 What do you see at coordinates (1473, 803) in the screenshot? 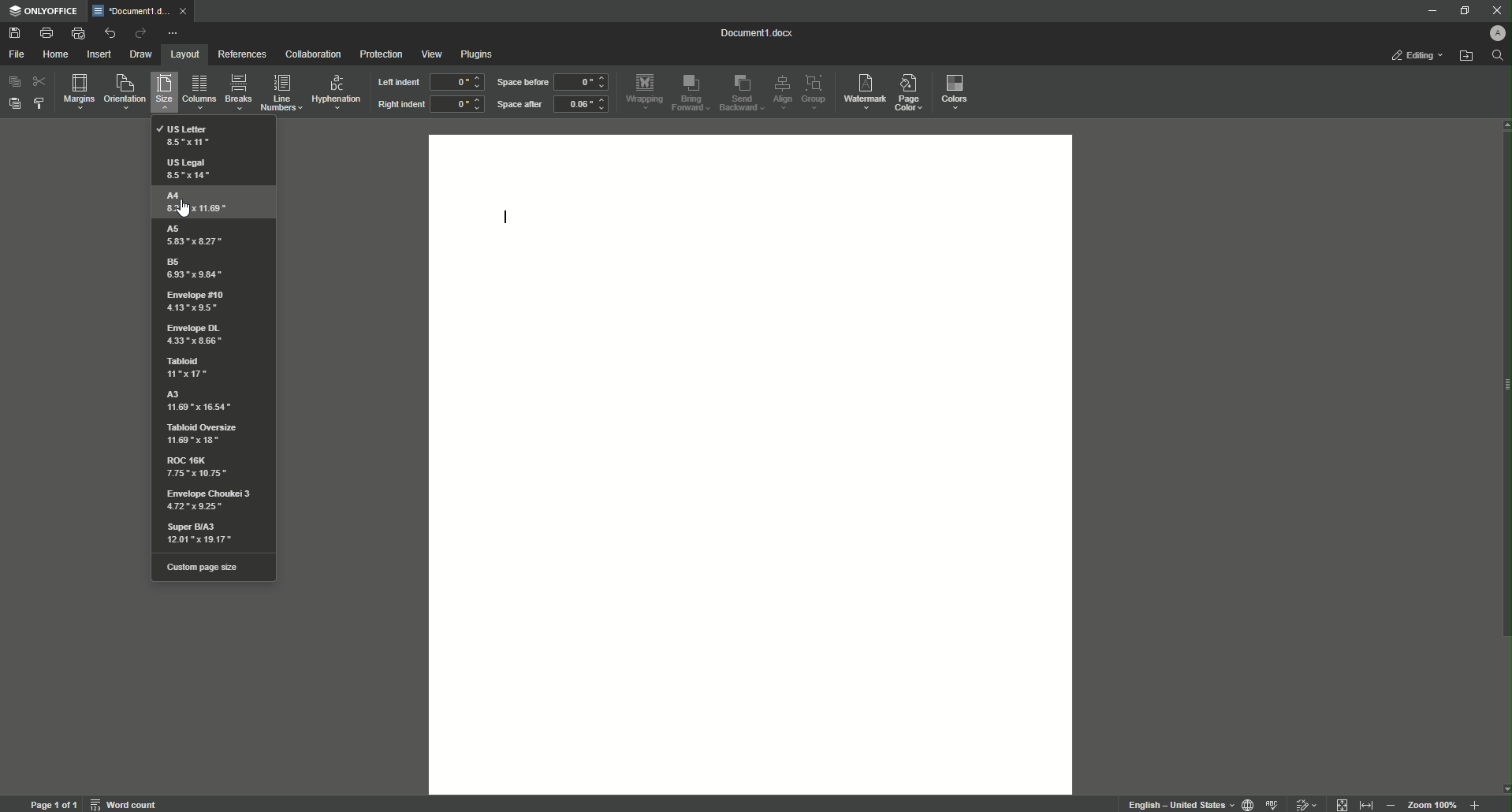
I see `Zoom In` at bounding box center [1473, 803].